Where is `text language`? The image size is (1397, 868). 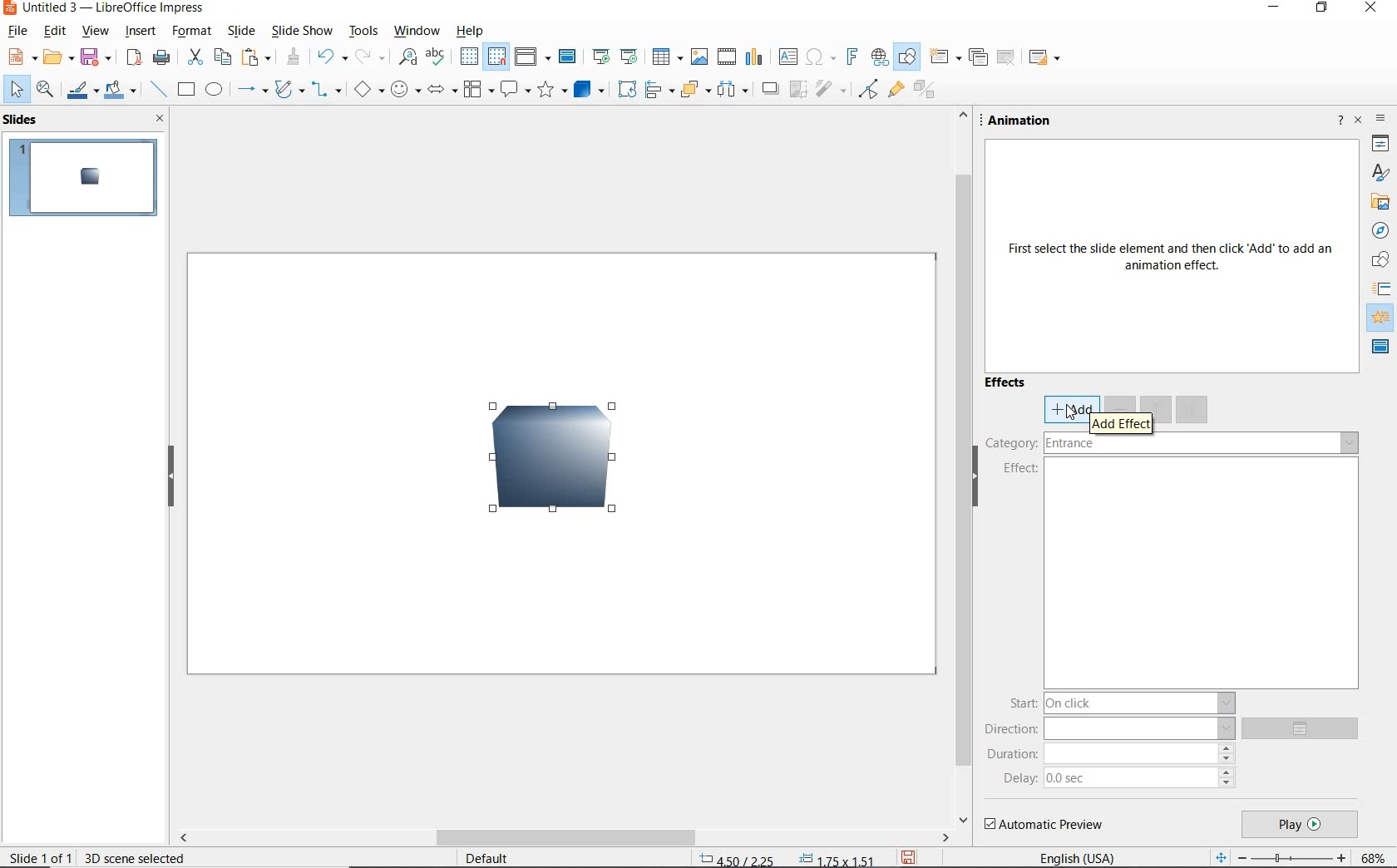
text language is located at coordinates (1079, 856).